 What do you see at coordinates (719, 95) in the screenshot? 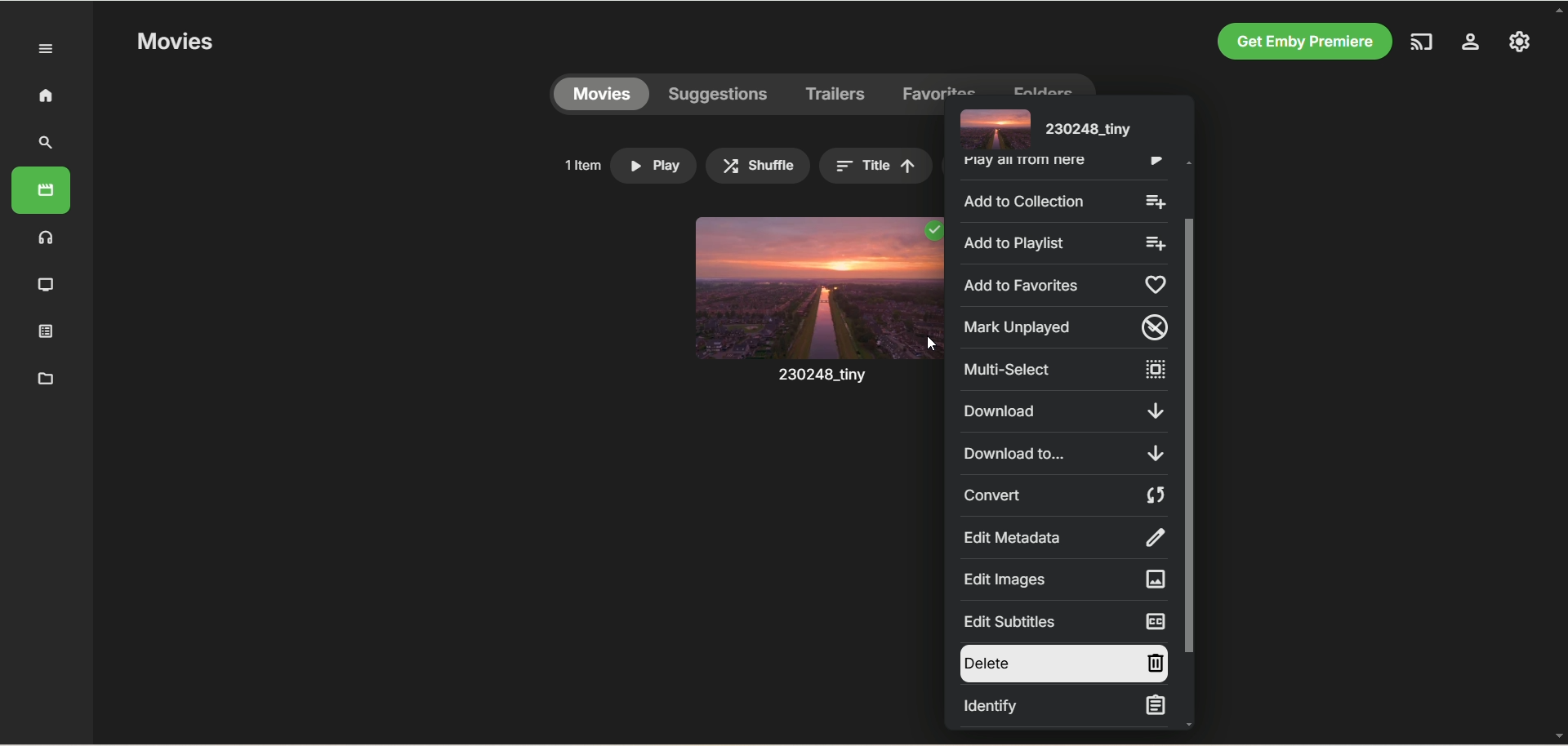
I see `suggestions` at bounding box center [719, 95].